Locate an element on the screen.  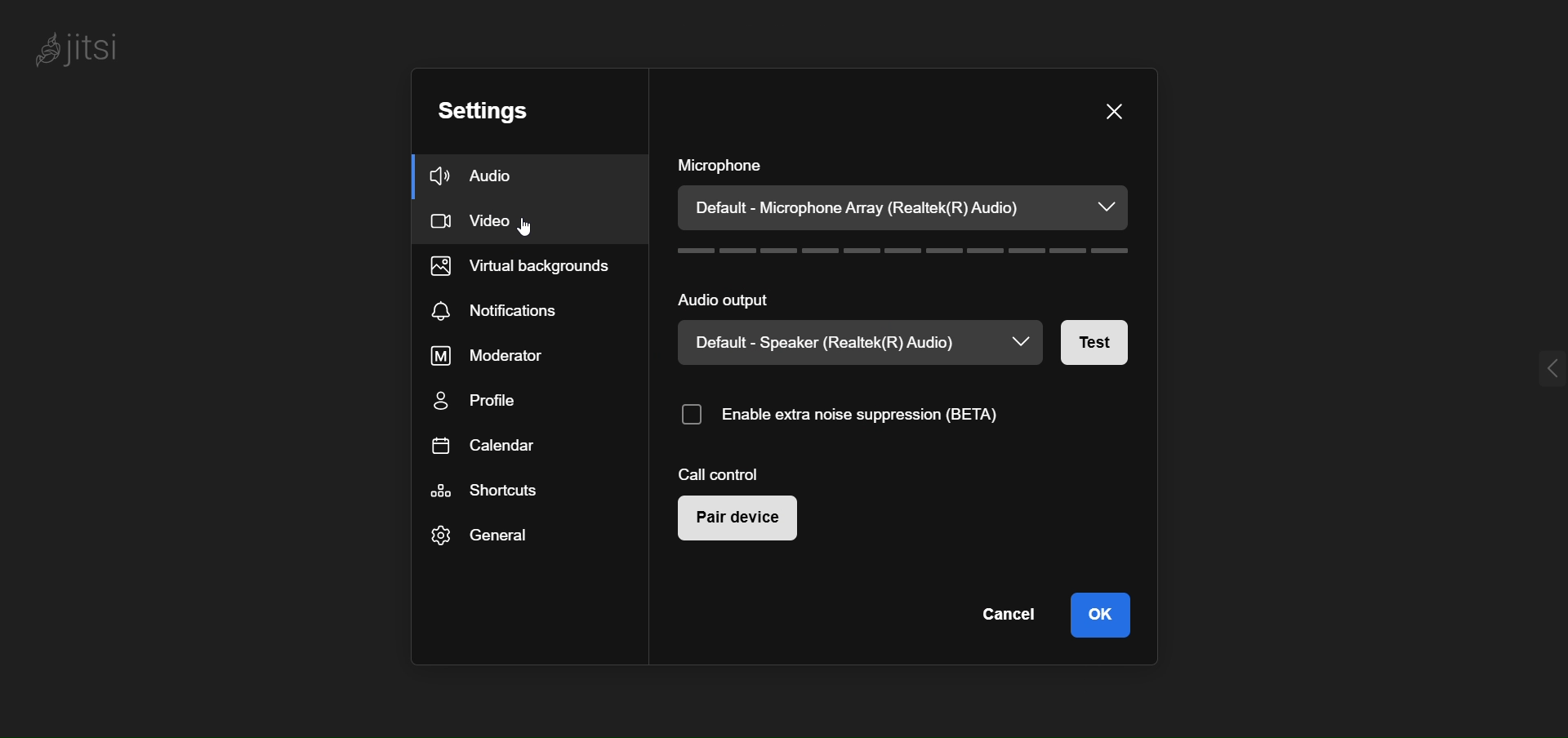
call control is located at coordinates (721, 472).